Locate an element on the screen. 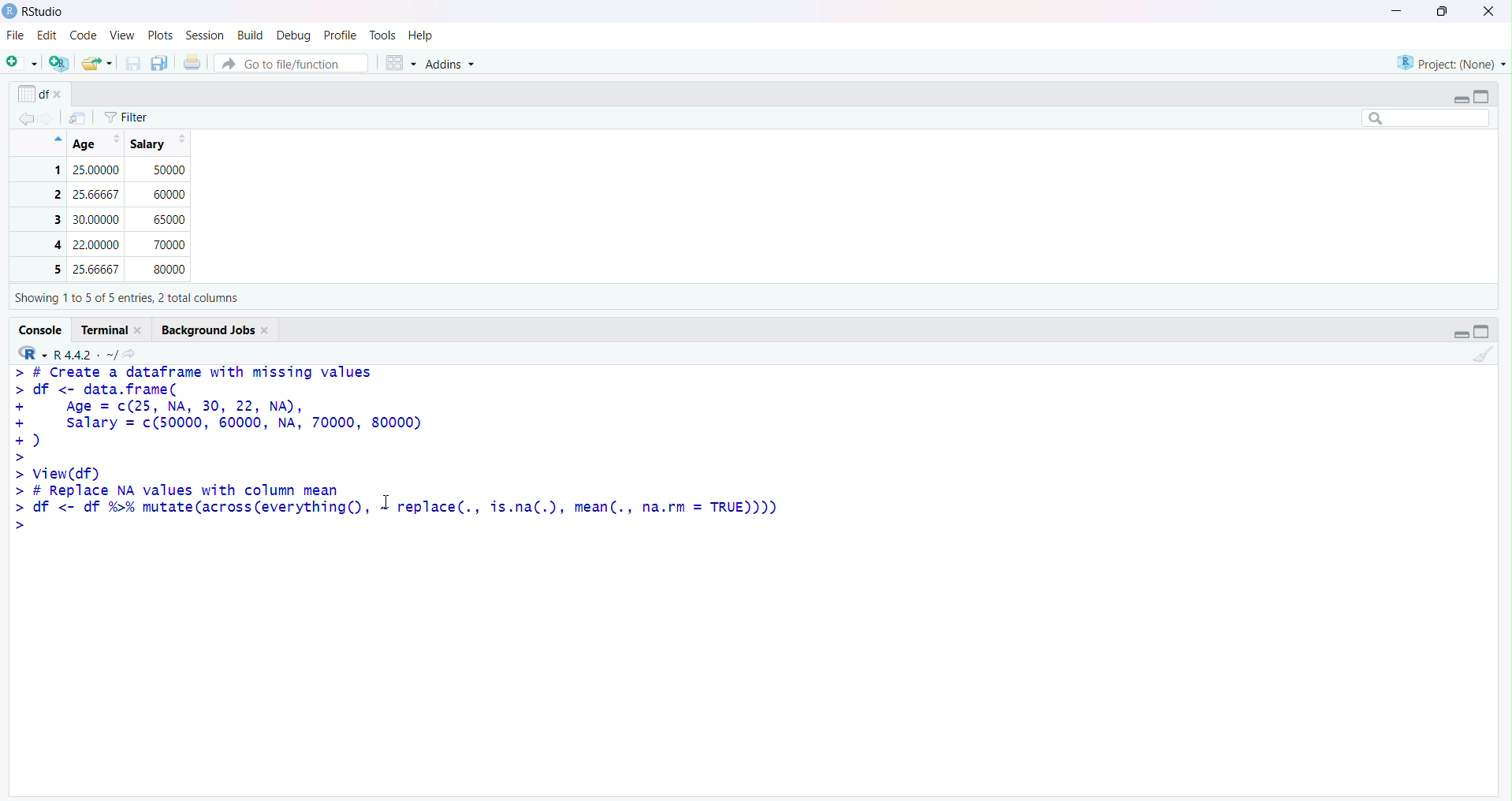  Help is located at coordinates (421, 36).